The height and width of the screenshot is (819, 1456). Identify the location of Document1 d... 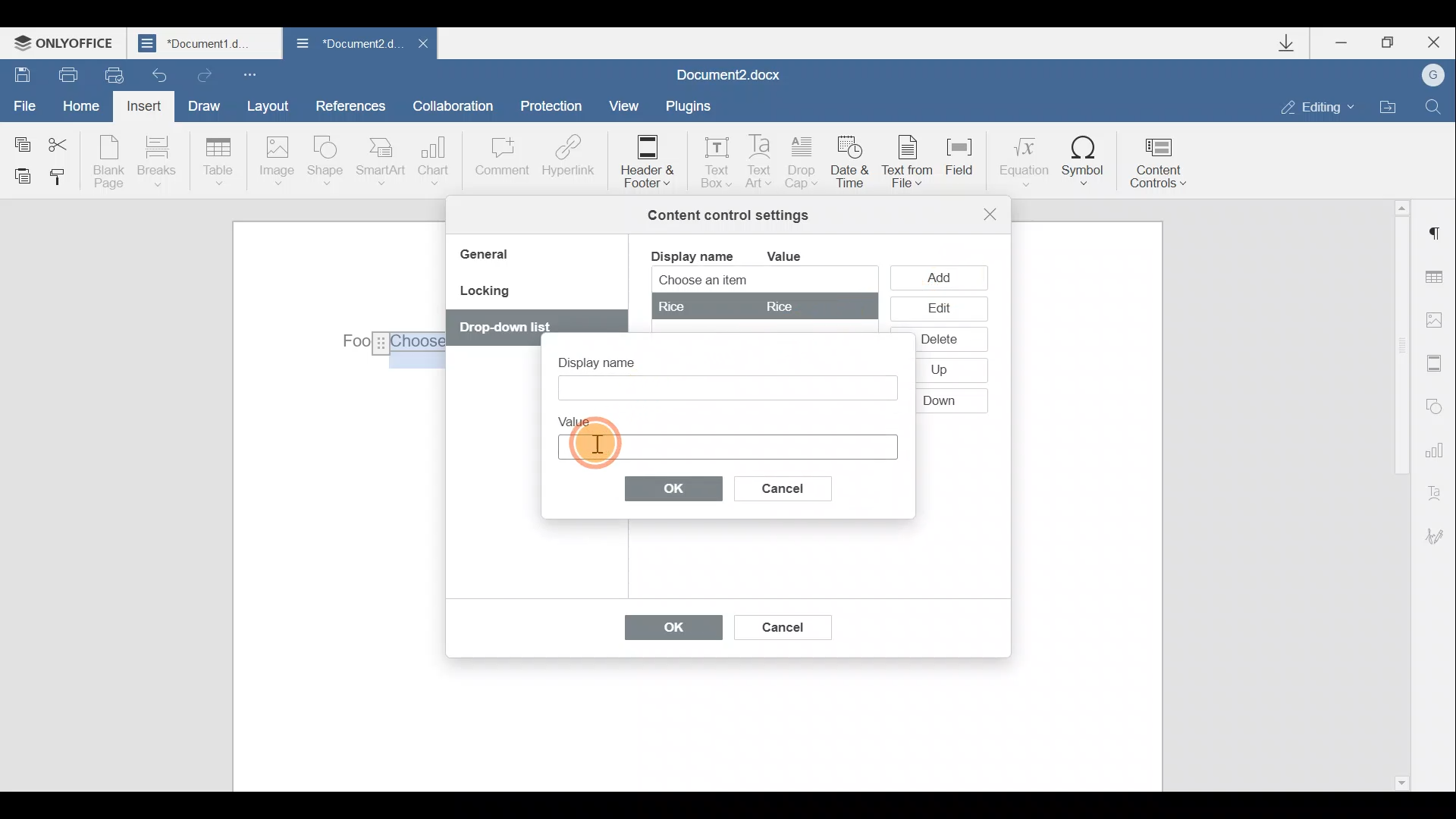
(206, 42).